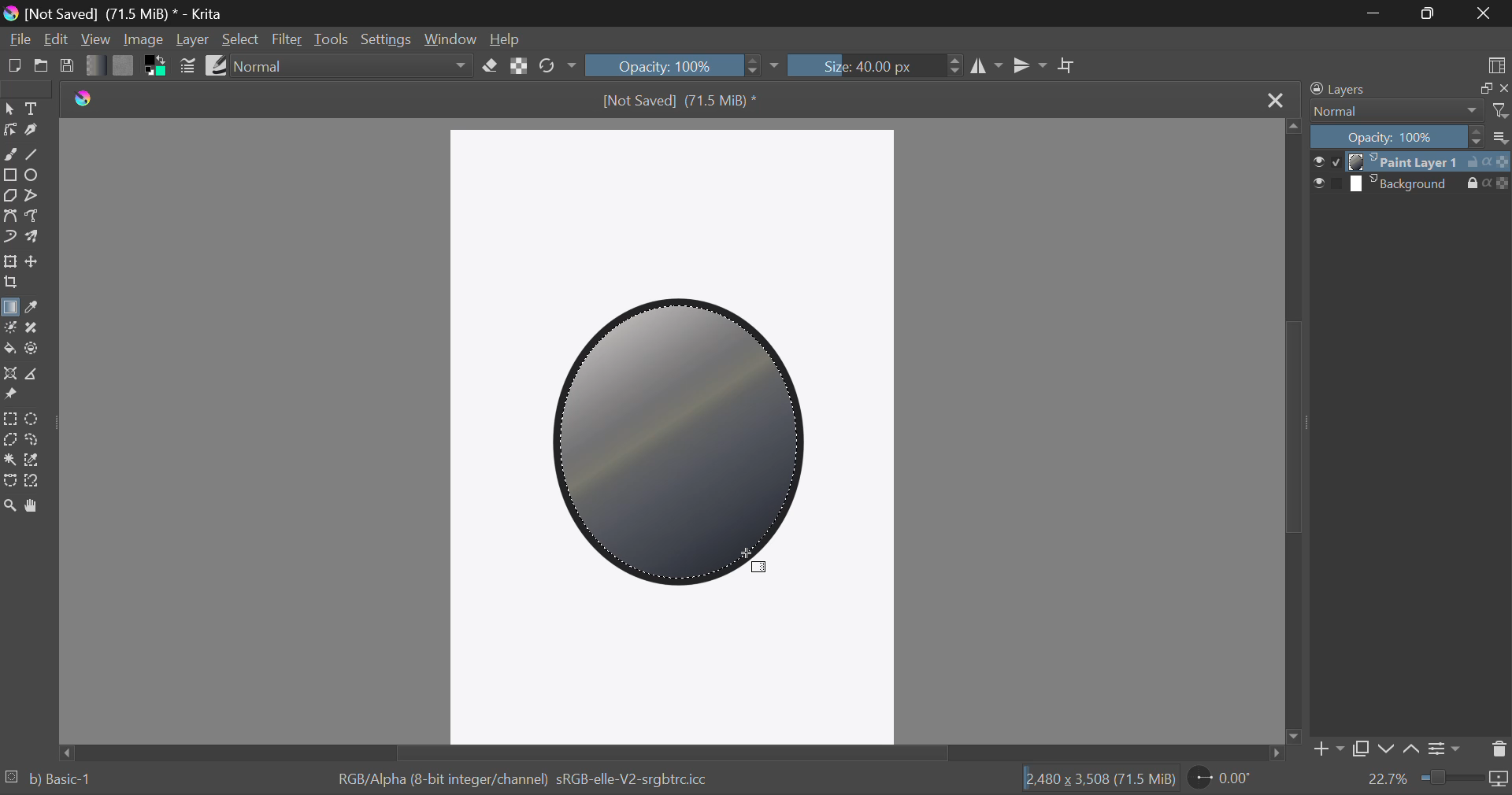  What do you see at coordinates (1499, 111) in the screenshot?
I see `filter` at bounding box center [1499, 111].